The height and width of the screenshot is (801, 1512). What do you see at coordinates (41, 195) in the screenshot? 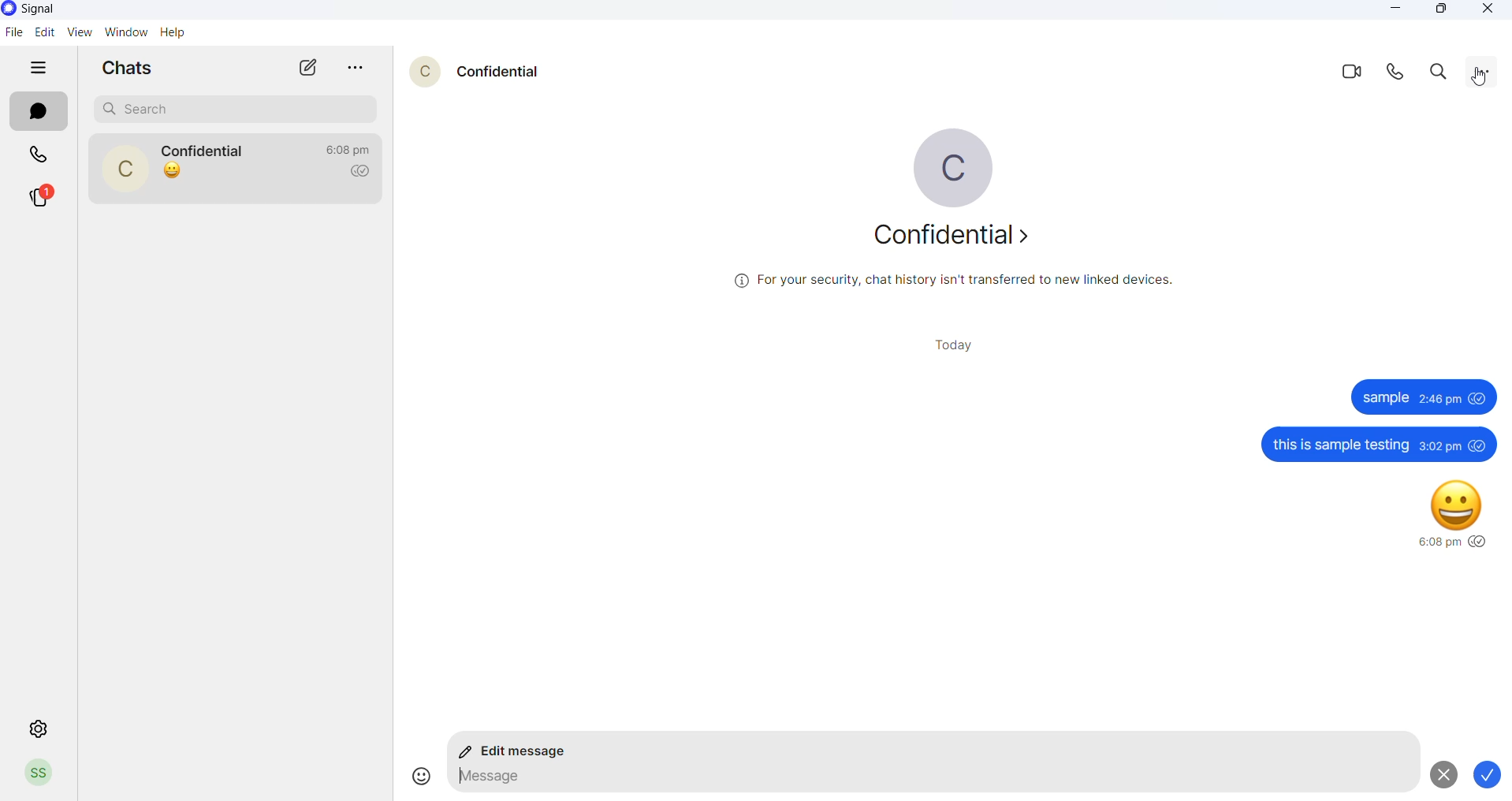
I see `stories` at bounding box center [41, 195].